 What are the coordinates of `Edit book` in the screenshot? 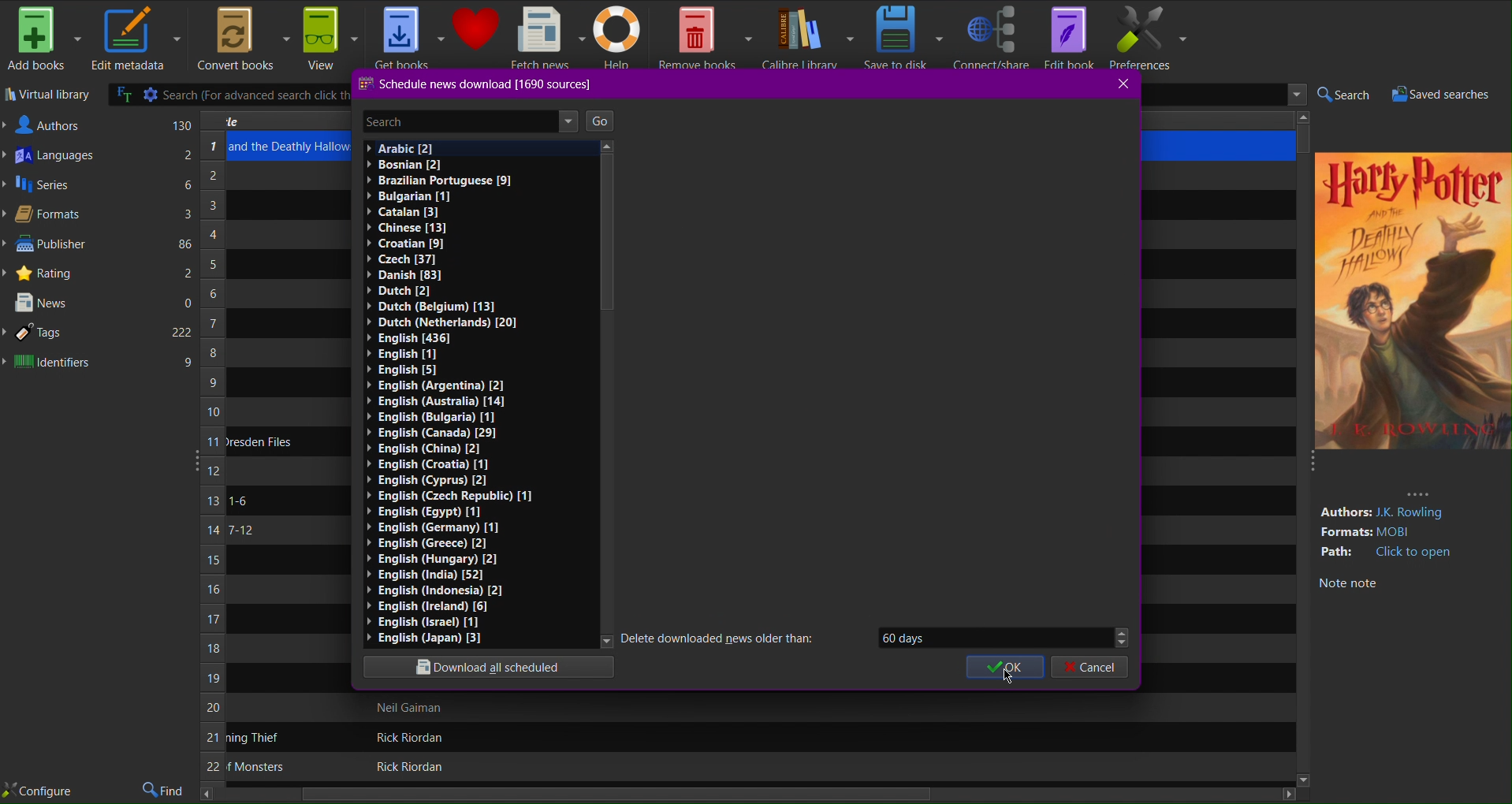 It's located at (1068, 37).